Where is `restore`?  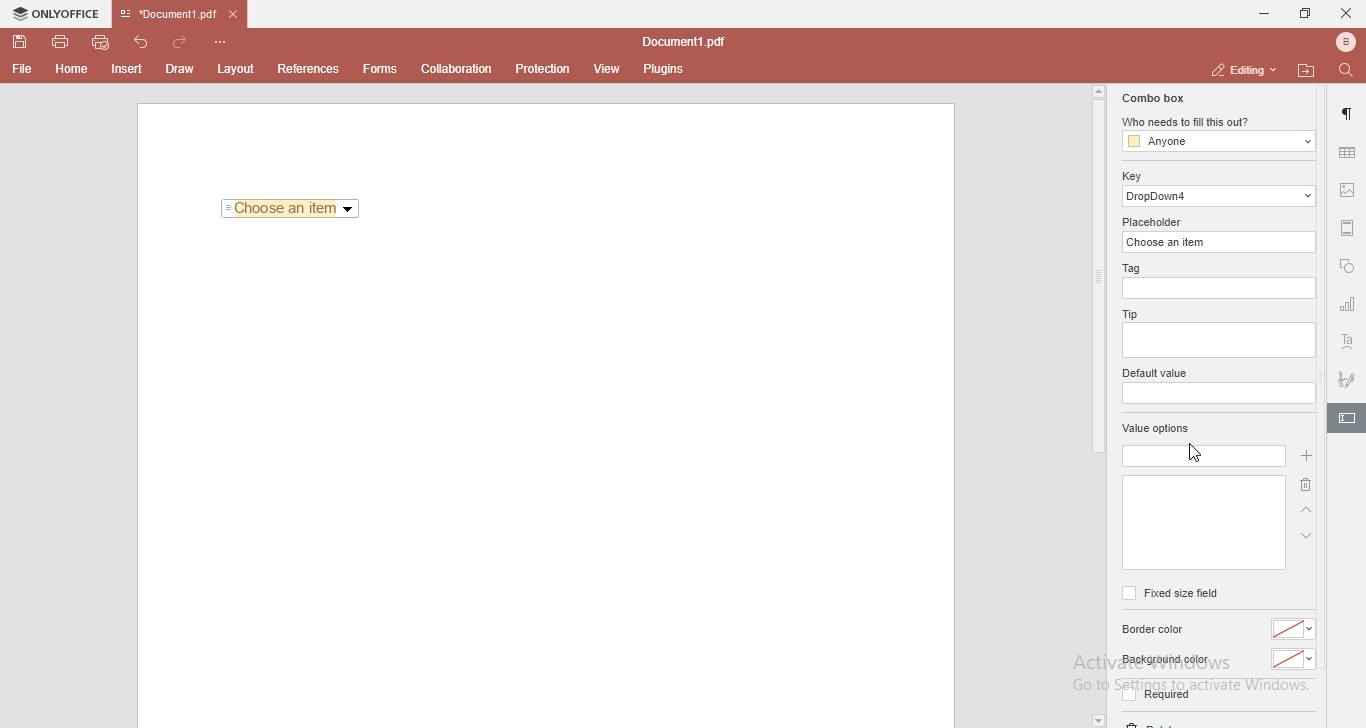 restore is located at coordinates (1304, 14).